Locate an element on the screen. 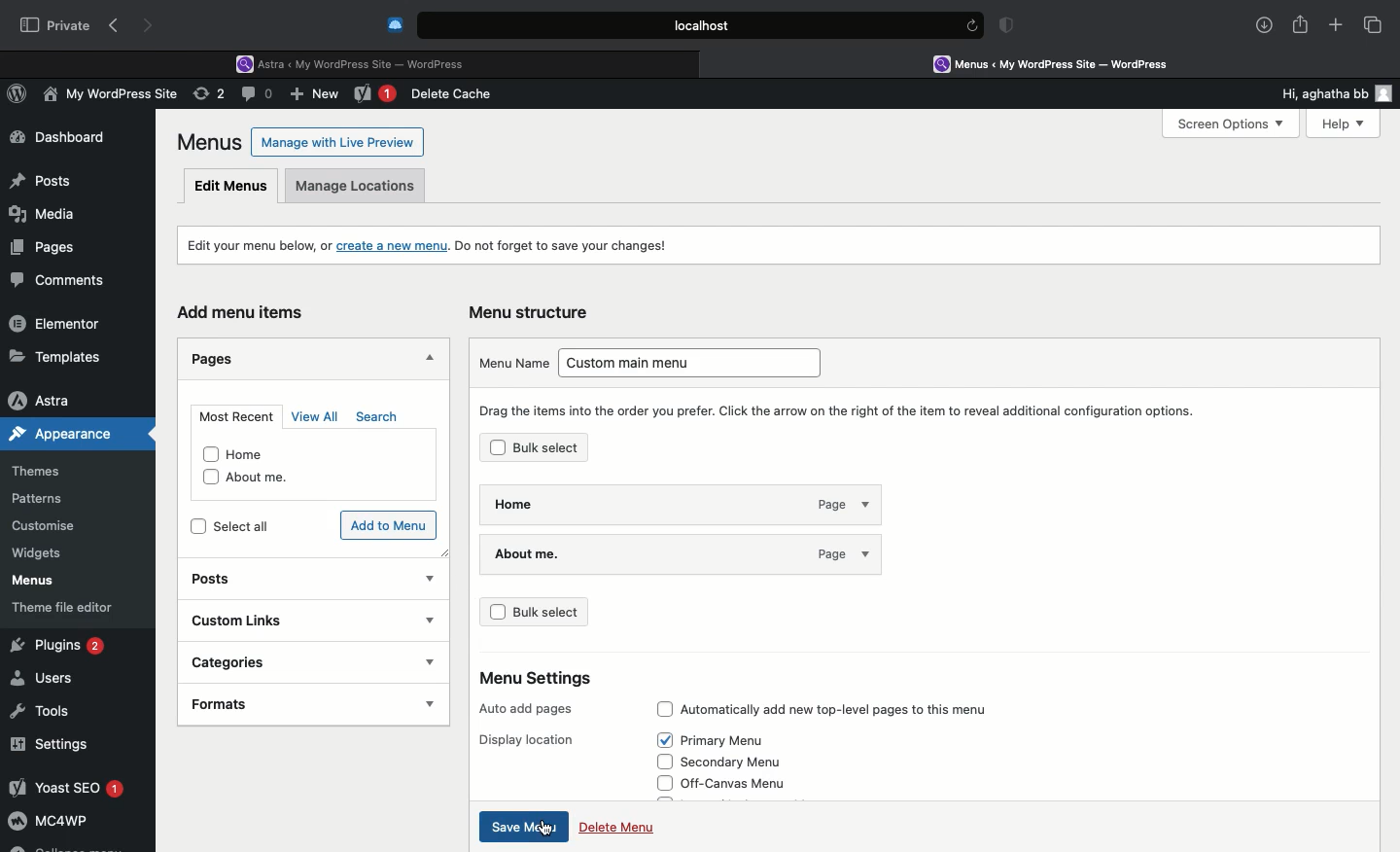 Image resolution: width=1400 pixels, height=852 pixels. MC4WP is located at coordinates (49, 824).